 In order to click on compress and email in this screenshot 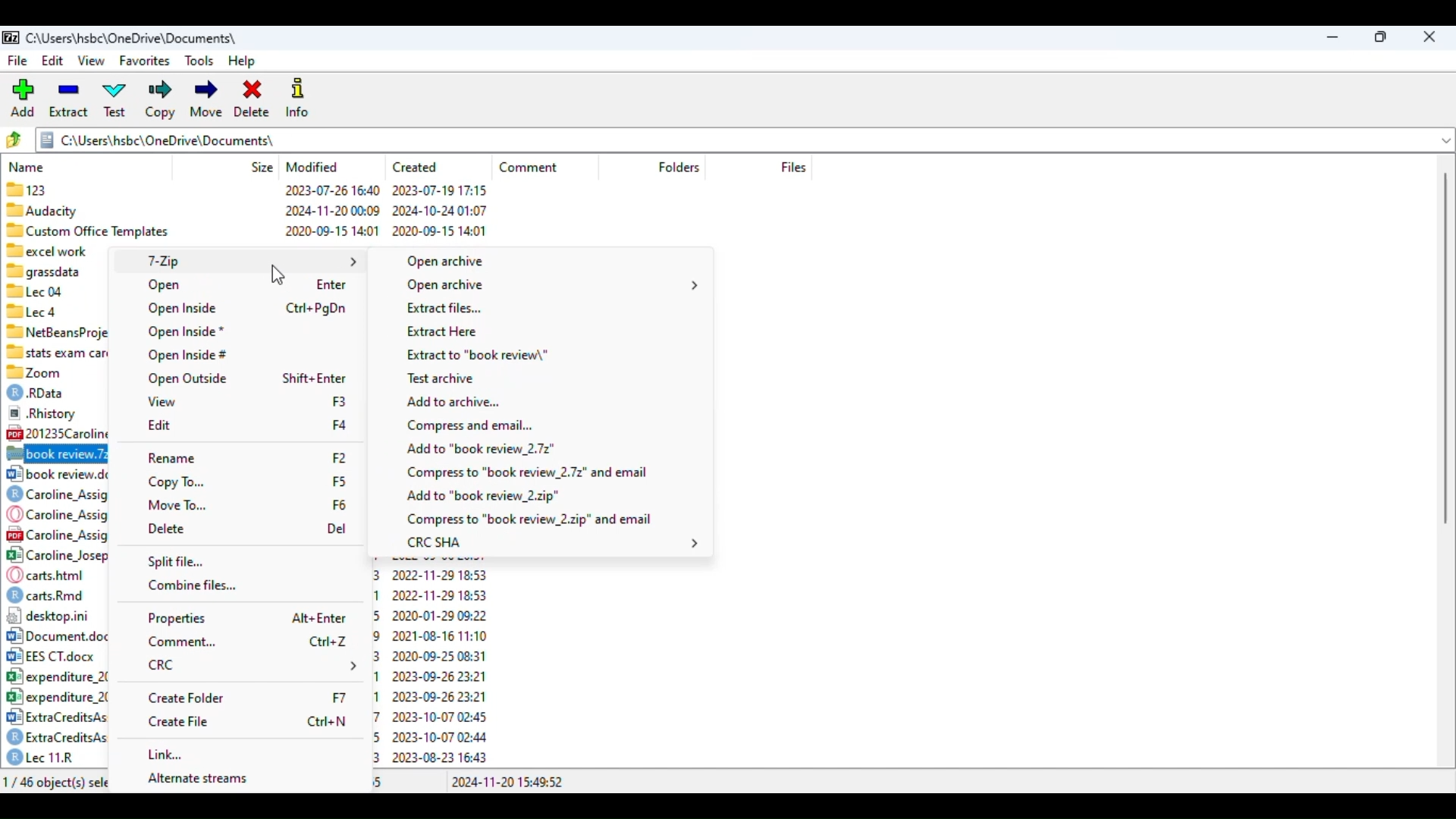, I will do `click(472, 425)`.